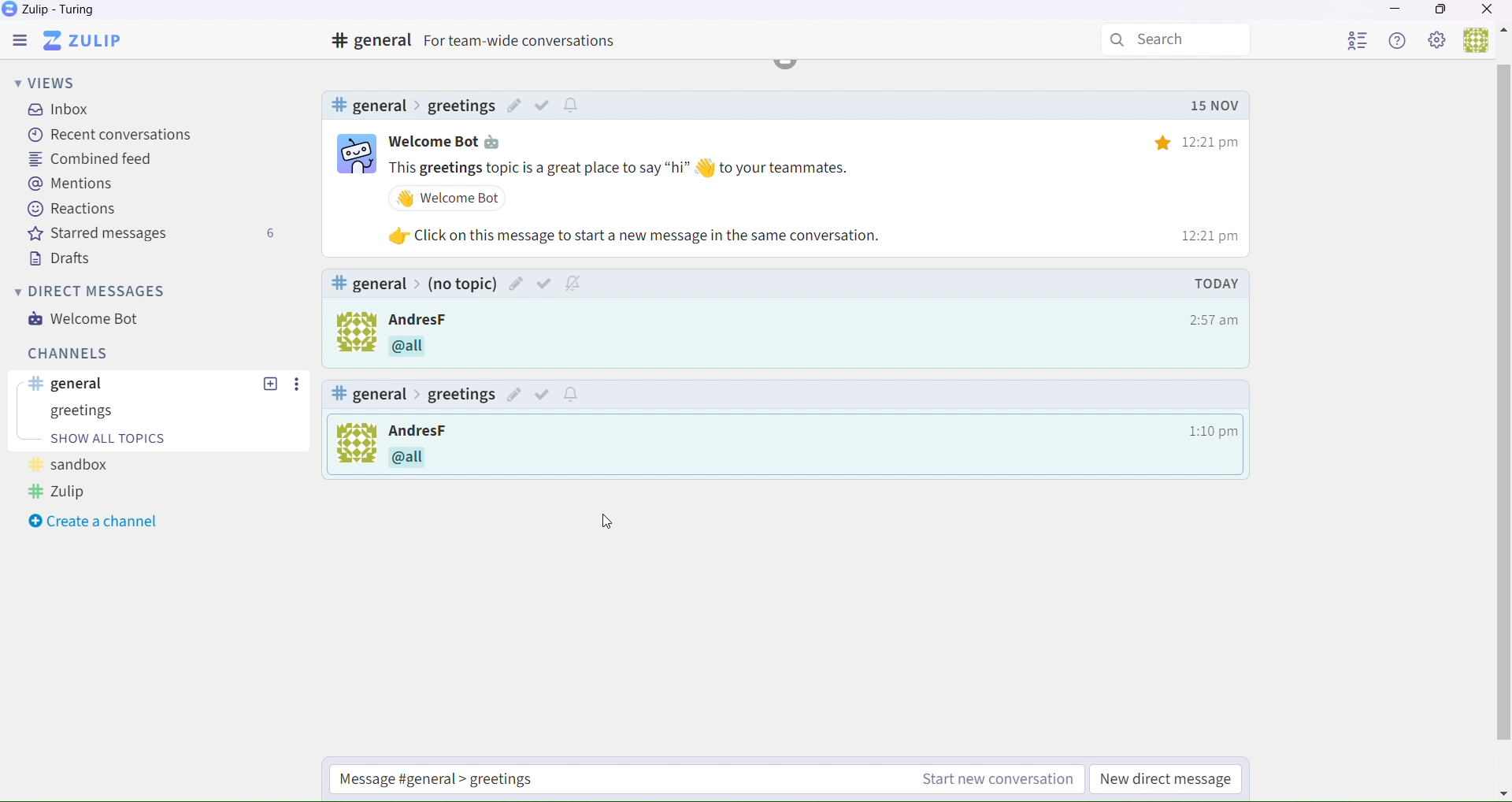 The image size is (1512, 802). What do you see at coordinates (60, 495) in the screenshot?
I see `Zulip` at bounding box center [60, 495].